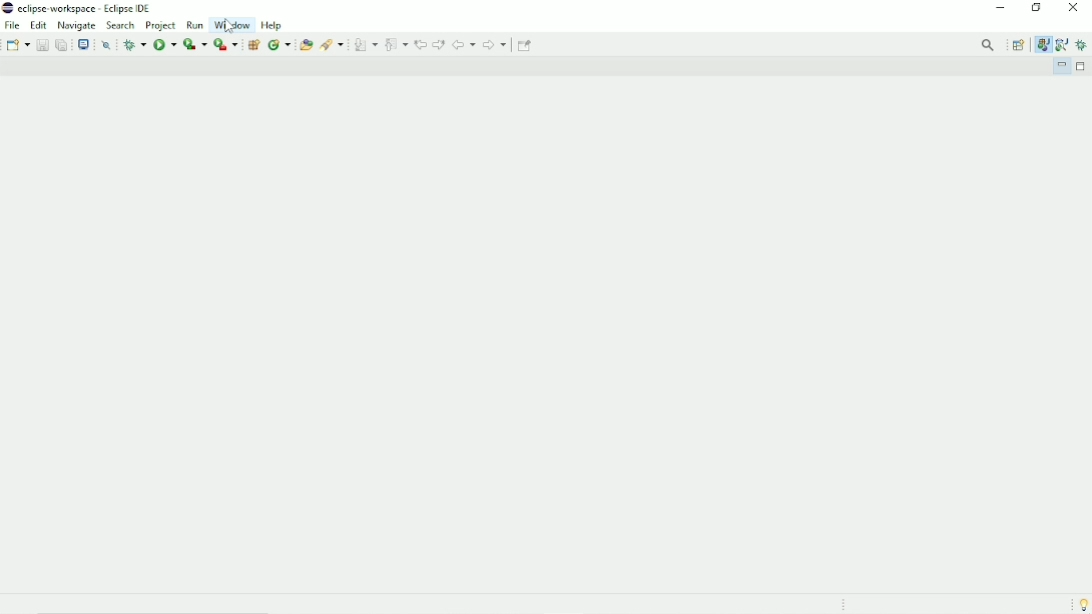 Image resolution: width=1092 pixels, height=614 pixels. Describe the element at coordinates (464, 45) in the screenshot. I see `Back` at that location.